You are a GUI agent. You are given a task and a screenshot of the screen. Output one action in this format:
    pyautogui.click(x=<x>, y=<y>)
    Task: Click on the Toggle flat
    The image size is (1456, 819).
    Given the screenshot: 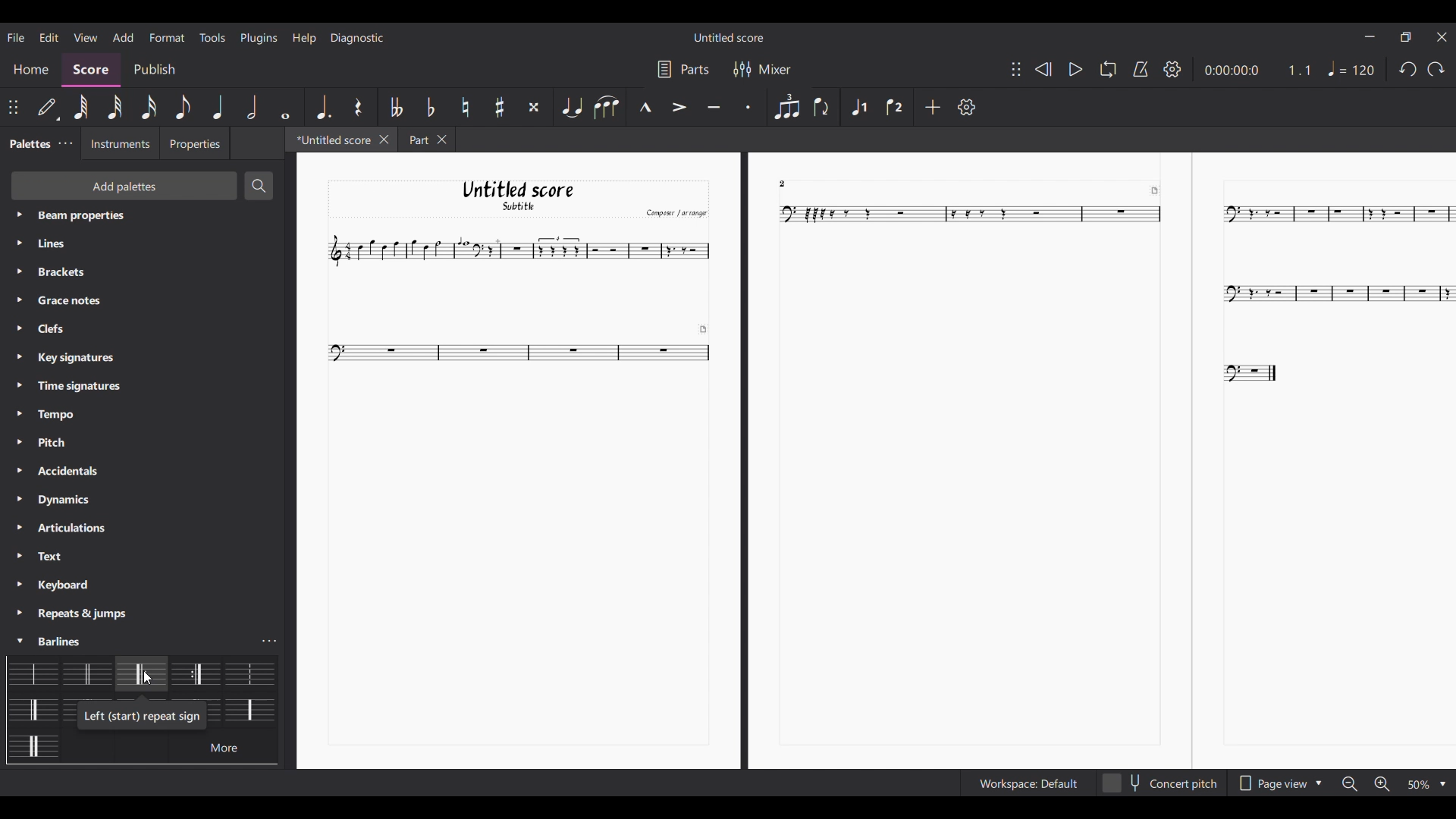 What is the action you would take?
    pyautogui.click(x=431, y=107)
    